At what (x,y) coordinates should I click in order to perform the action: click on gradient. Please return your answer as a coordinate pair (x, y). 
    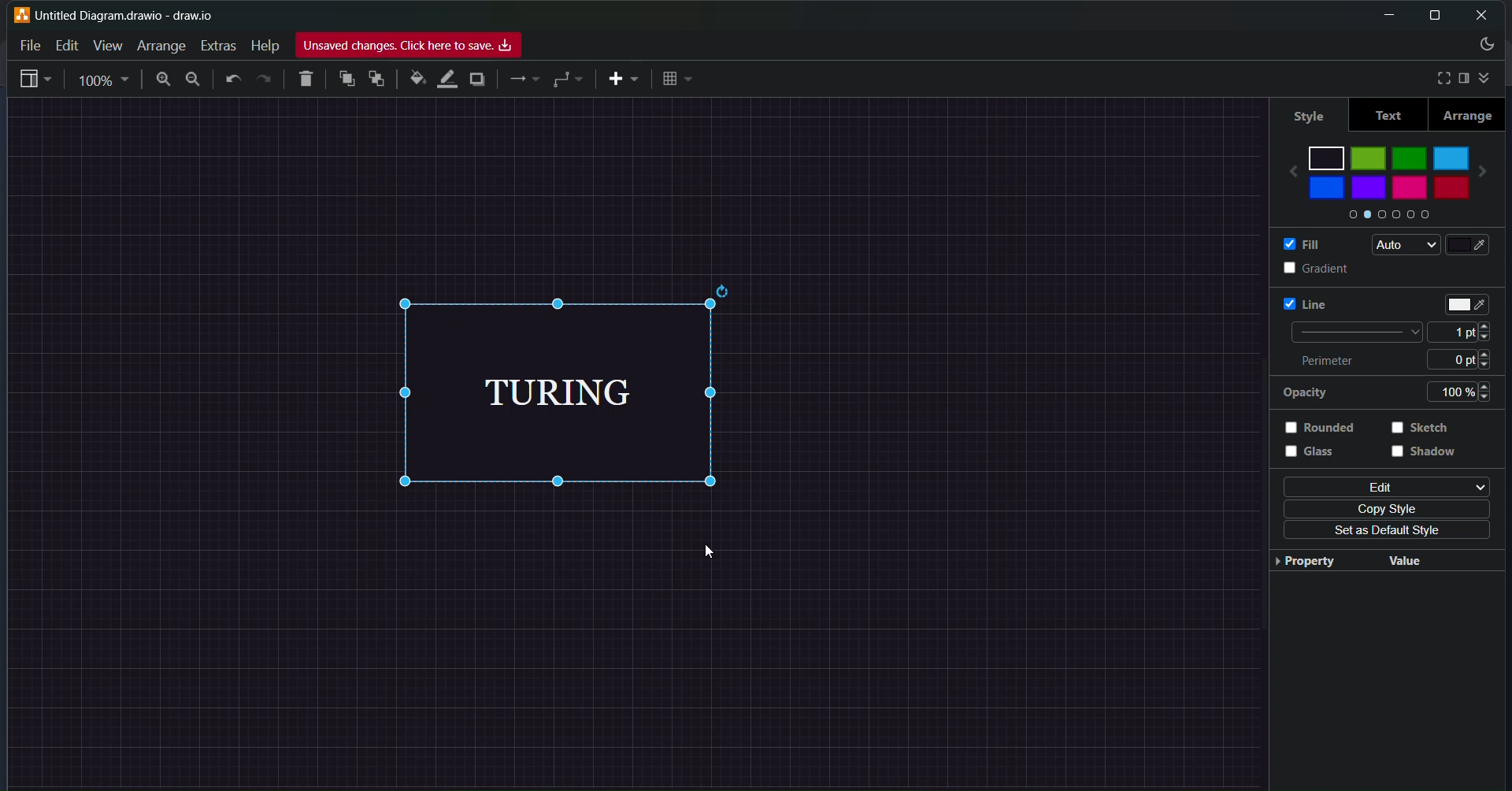
    Looking at the image, I should click on (1301, 268).